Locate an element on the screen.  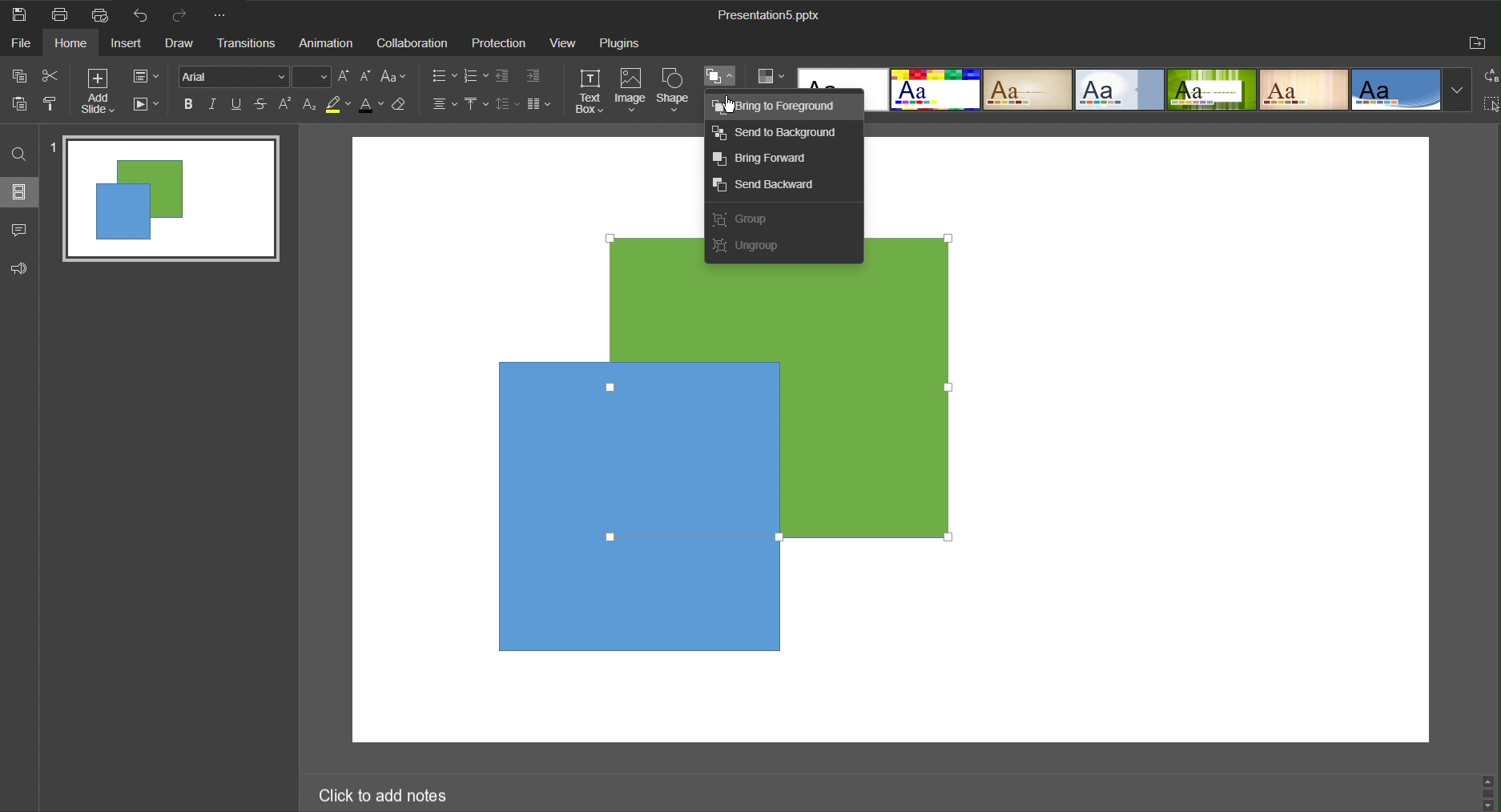
Alignment is located at coordinates (443, 105).